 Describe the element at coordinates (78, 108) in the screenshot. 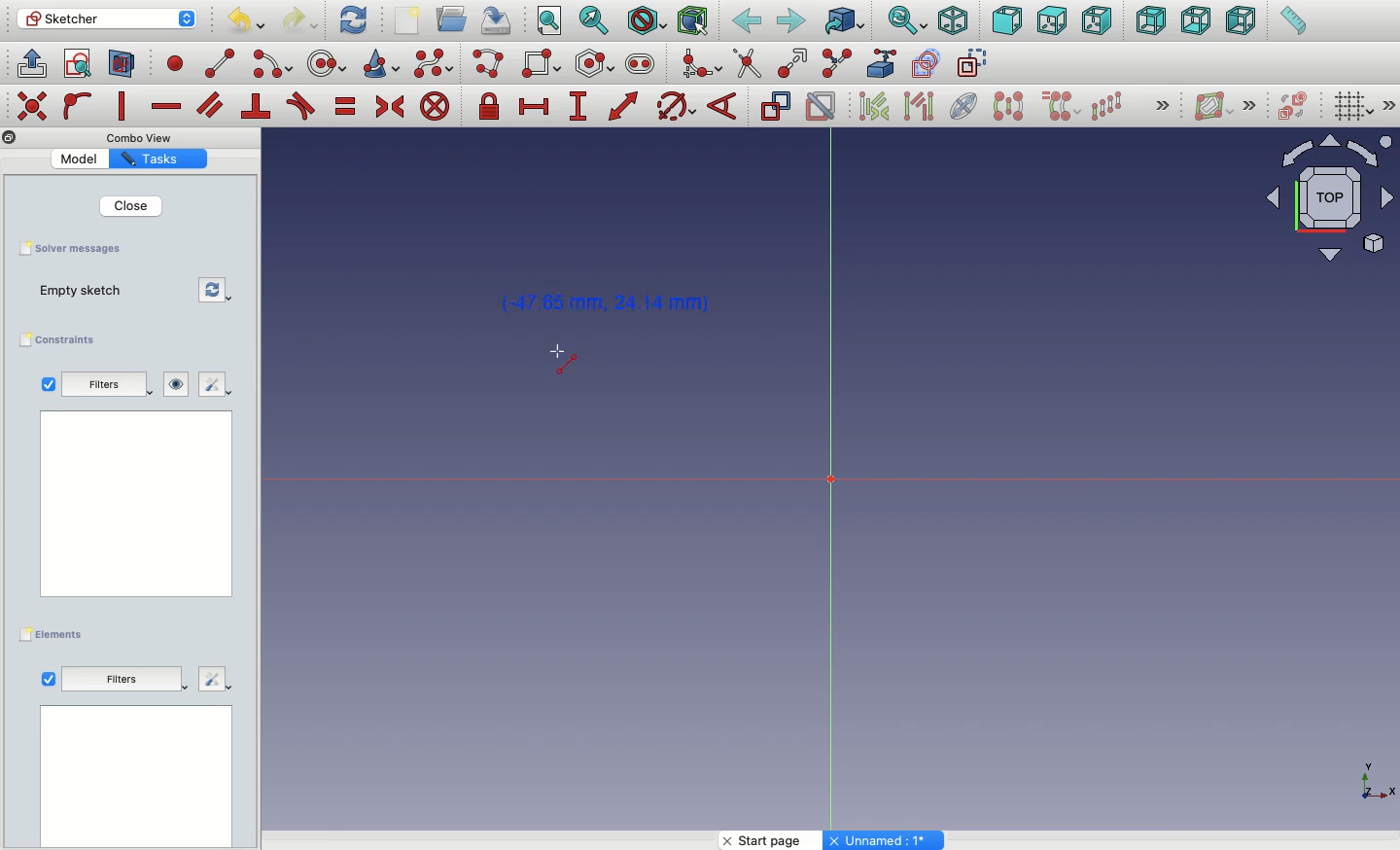

I see `Constrain point on to object` at that location.